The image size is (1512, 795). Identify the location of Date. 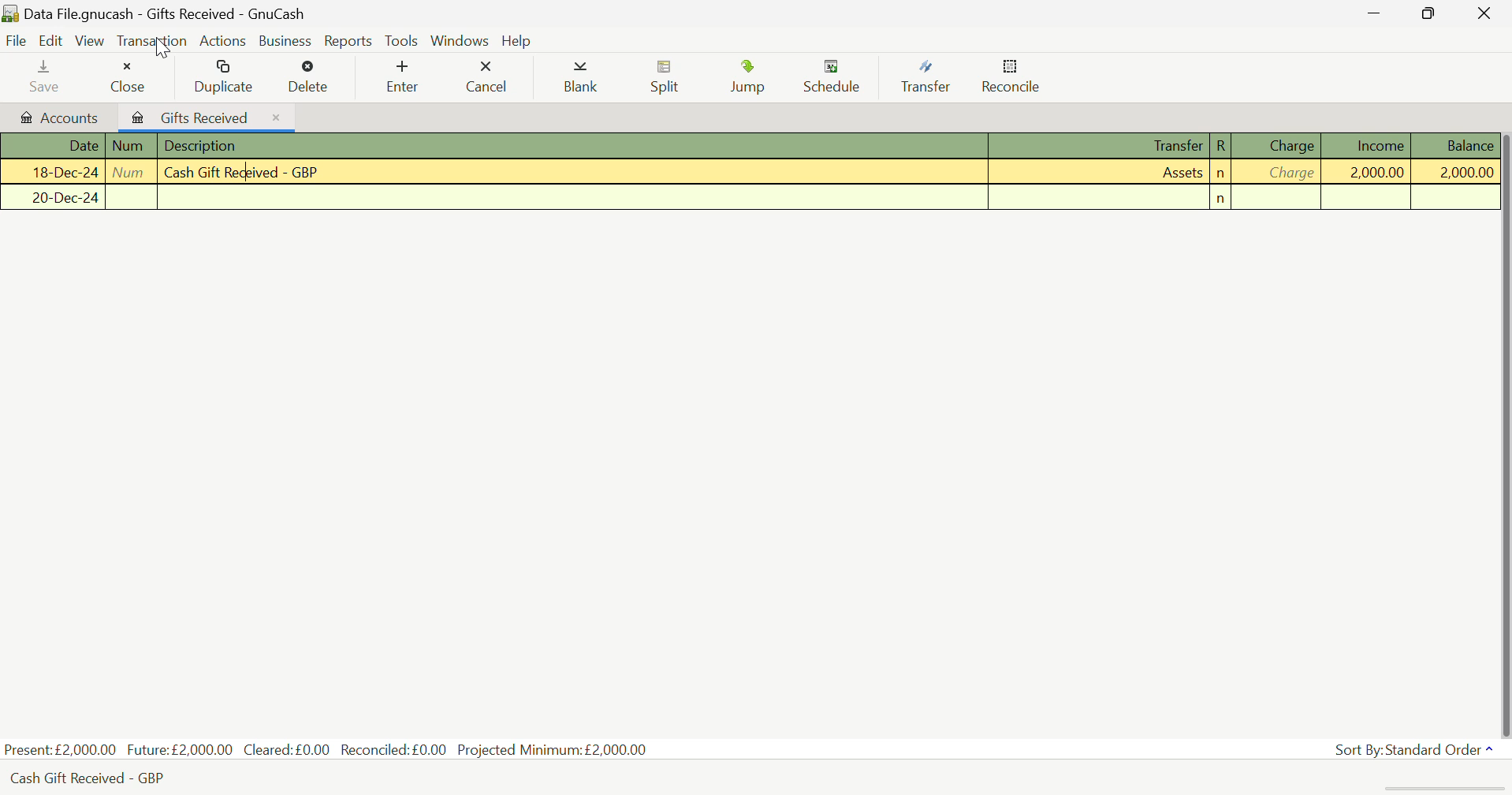
(52, 174).